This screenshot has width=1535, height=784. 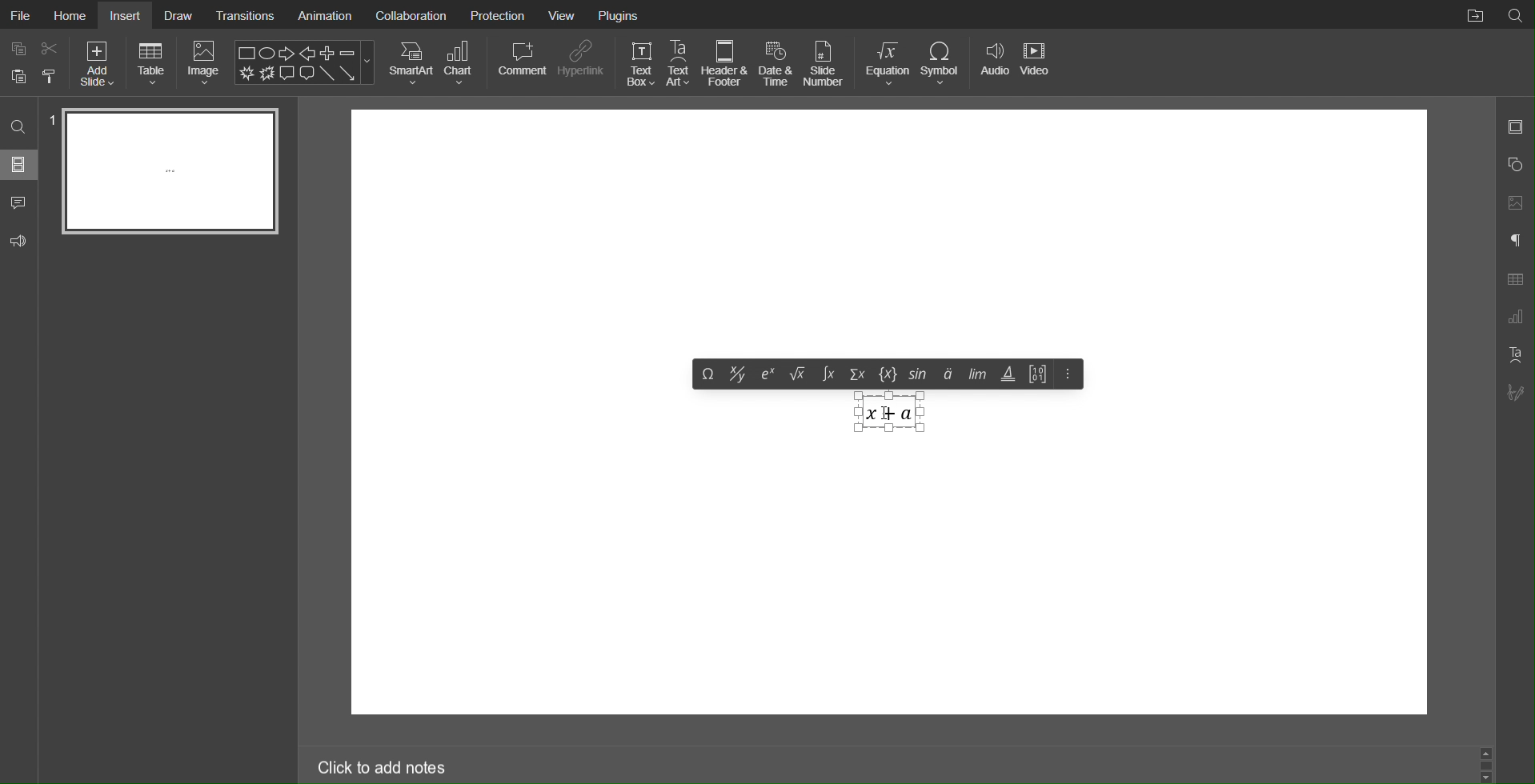 What do you see at coordinates (887, 415) in the screenshot?
I see `x + a` at bounding box center [887, 415].